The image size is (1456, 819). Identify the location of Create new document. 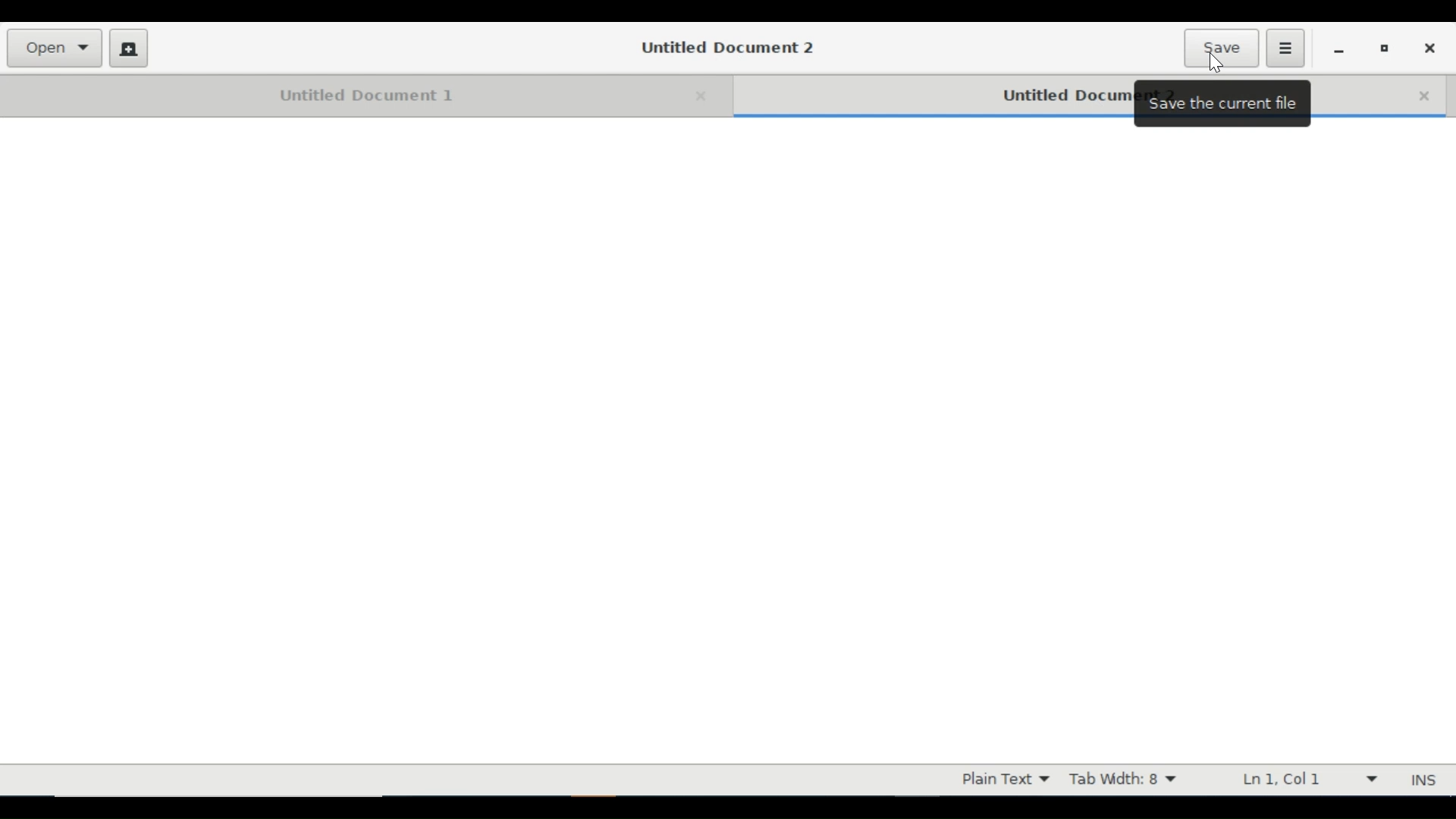
(128, 47).